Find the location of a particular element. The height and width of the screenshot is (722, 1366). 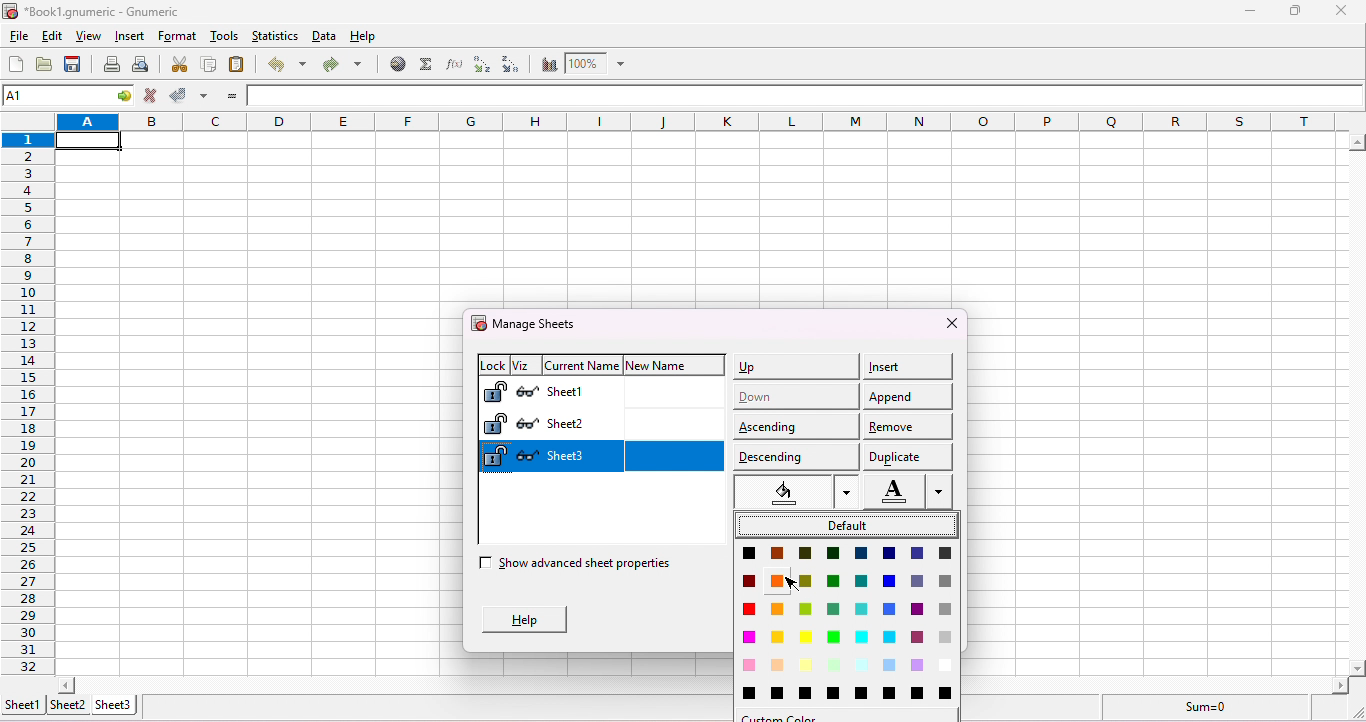

save is located at coordinates (76, 65).